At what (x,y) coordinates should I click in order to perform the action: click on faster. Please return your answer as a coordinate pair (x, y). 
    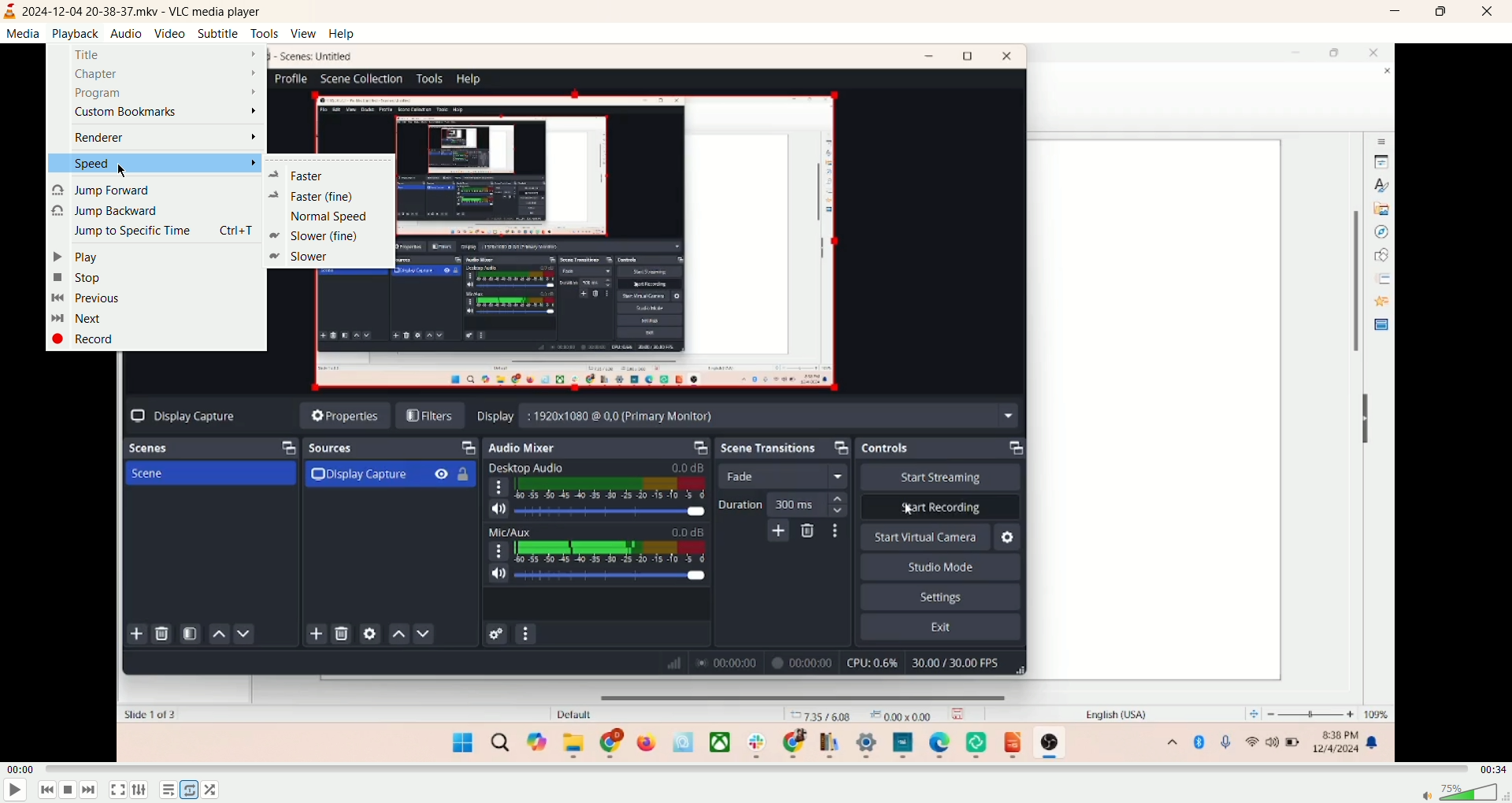
    Looking at the image, I should click on (298, 176).